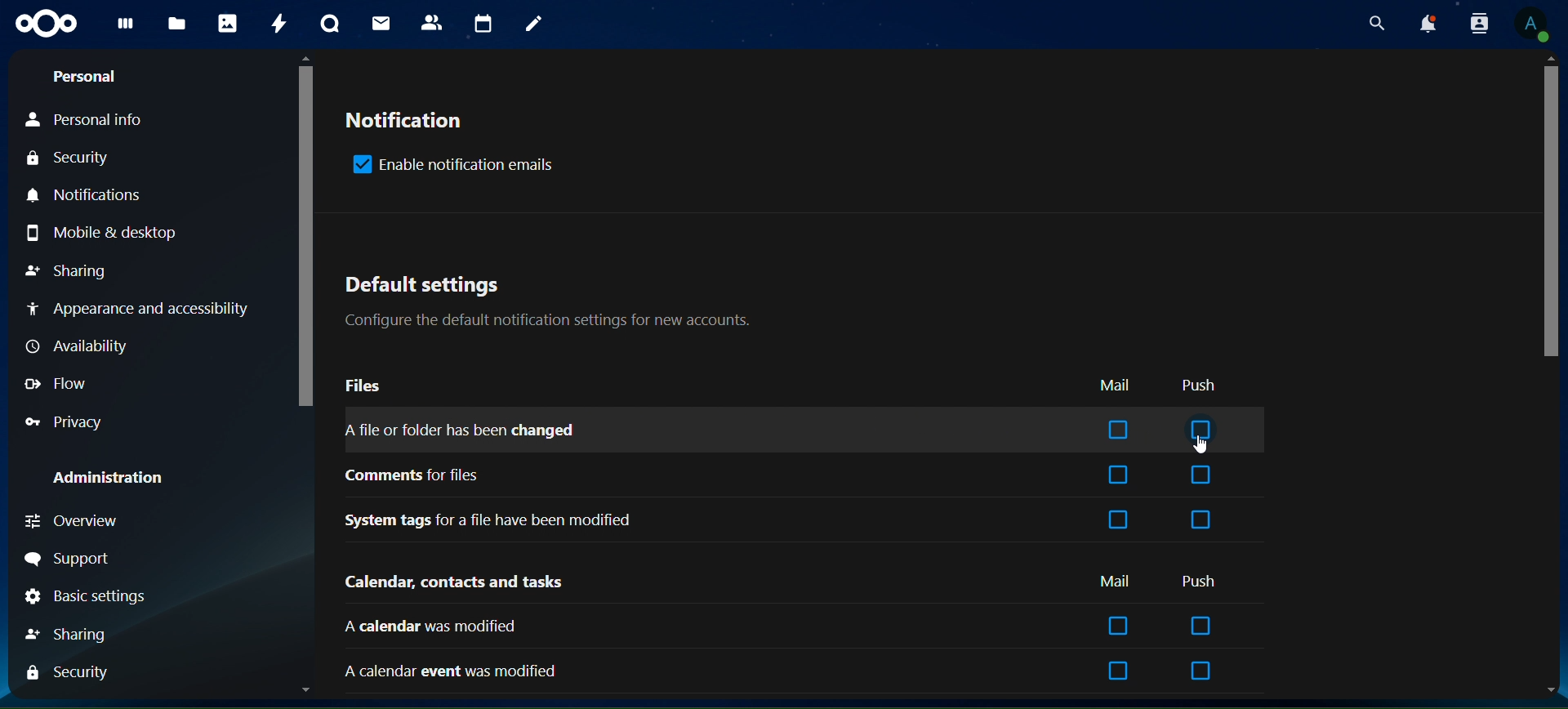 Image resolution: width=1568 pixels, height=709 pixels. Describe the element at coordinates (1424, 24) in the screenshot. I see `notifications` at that location.